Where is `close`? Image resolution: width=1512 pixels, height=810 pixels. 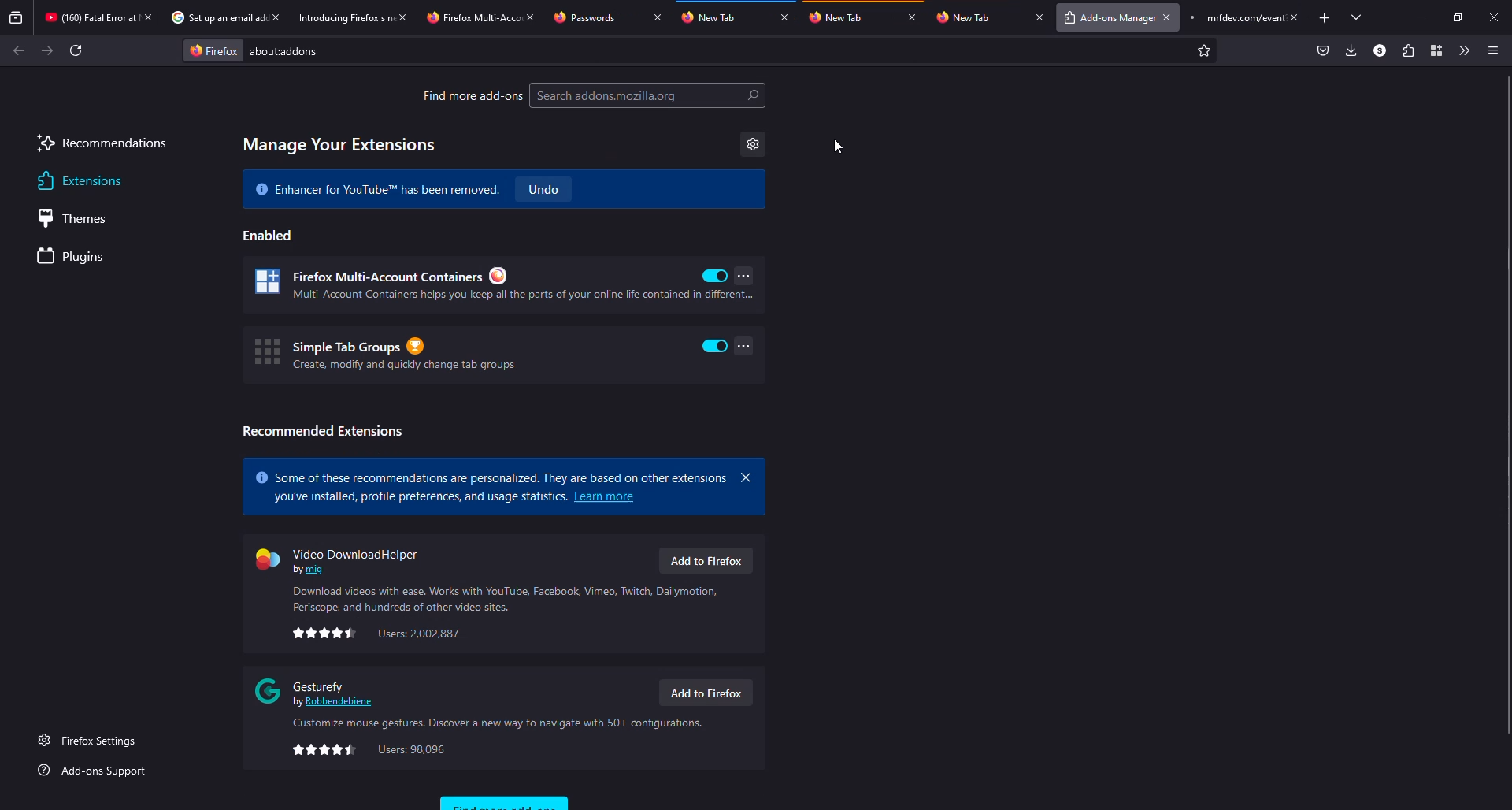 close is located at coordinates (745, 477).